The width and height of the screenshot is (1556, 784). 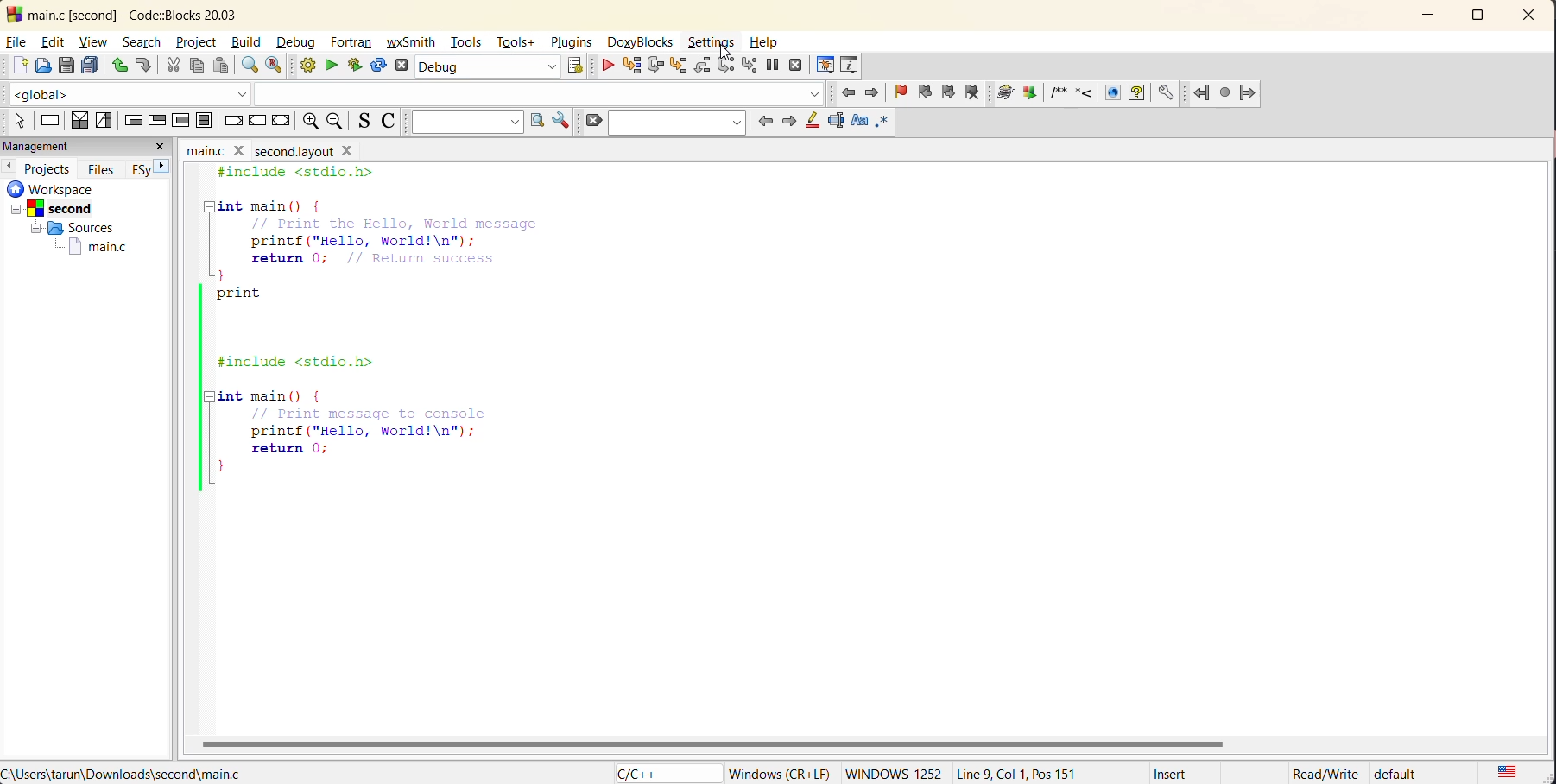 What do you see at coordinates (795, 64) in the screenshot?
I see `stop debugger` at bounding box center [795, 64].